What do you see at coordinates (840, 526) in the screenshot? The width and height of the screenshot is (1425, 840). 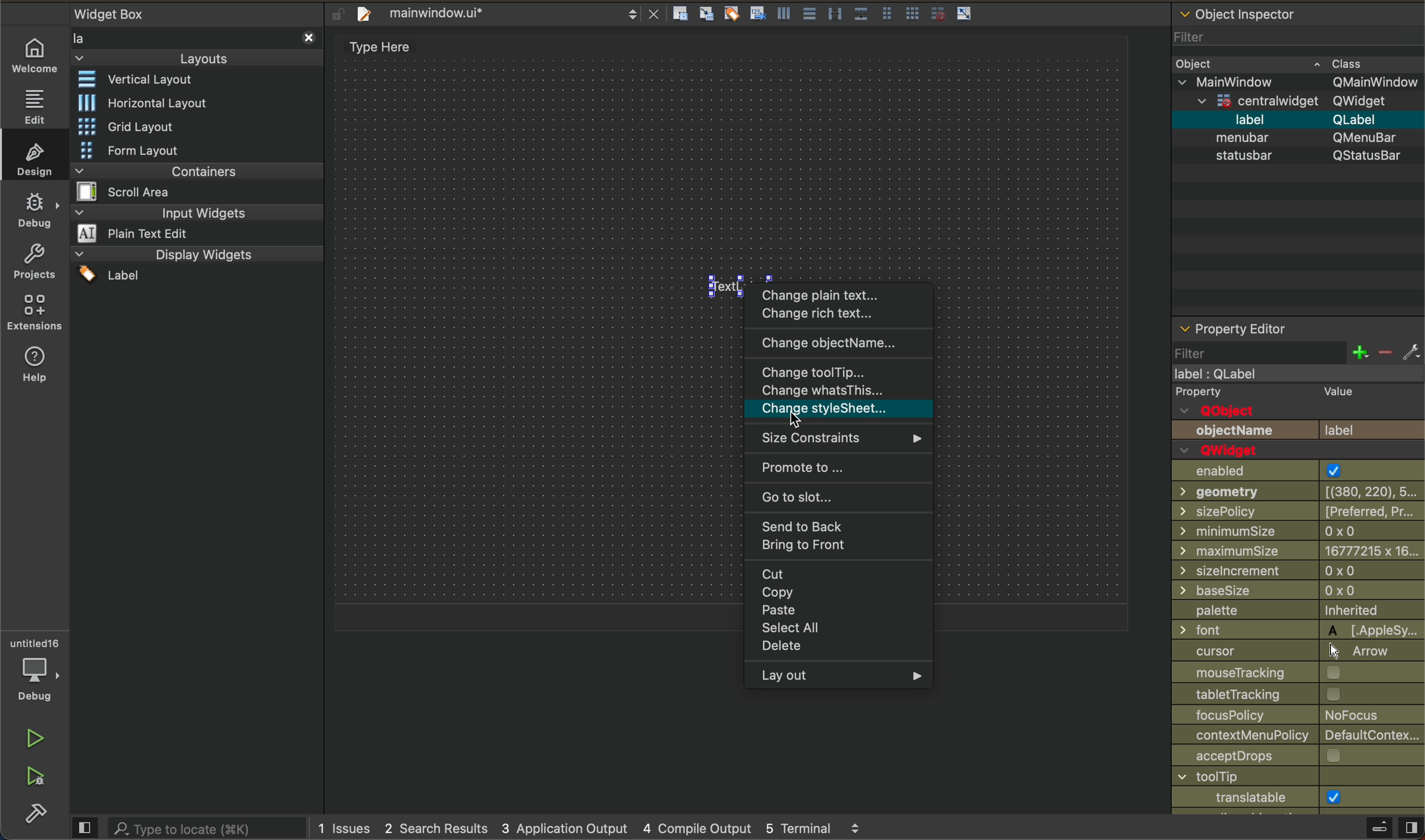 I see `send to back` at bounding box center [840, 526].